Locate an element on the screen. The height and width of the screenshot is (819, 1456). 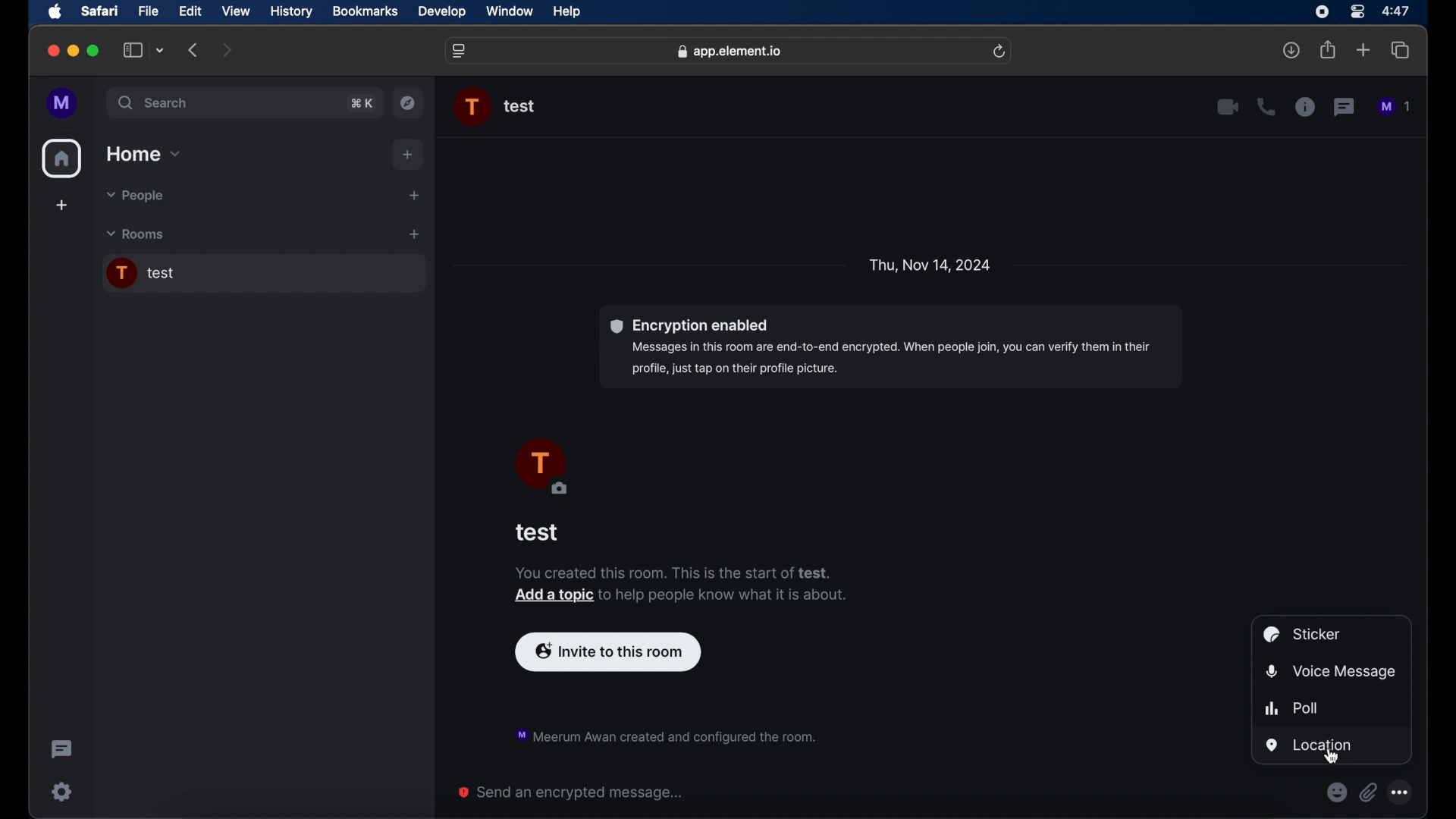
home is located at coordinates (62, 158).